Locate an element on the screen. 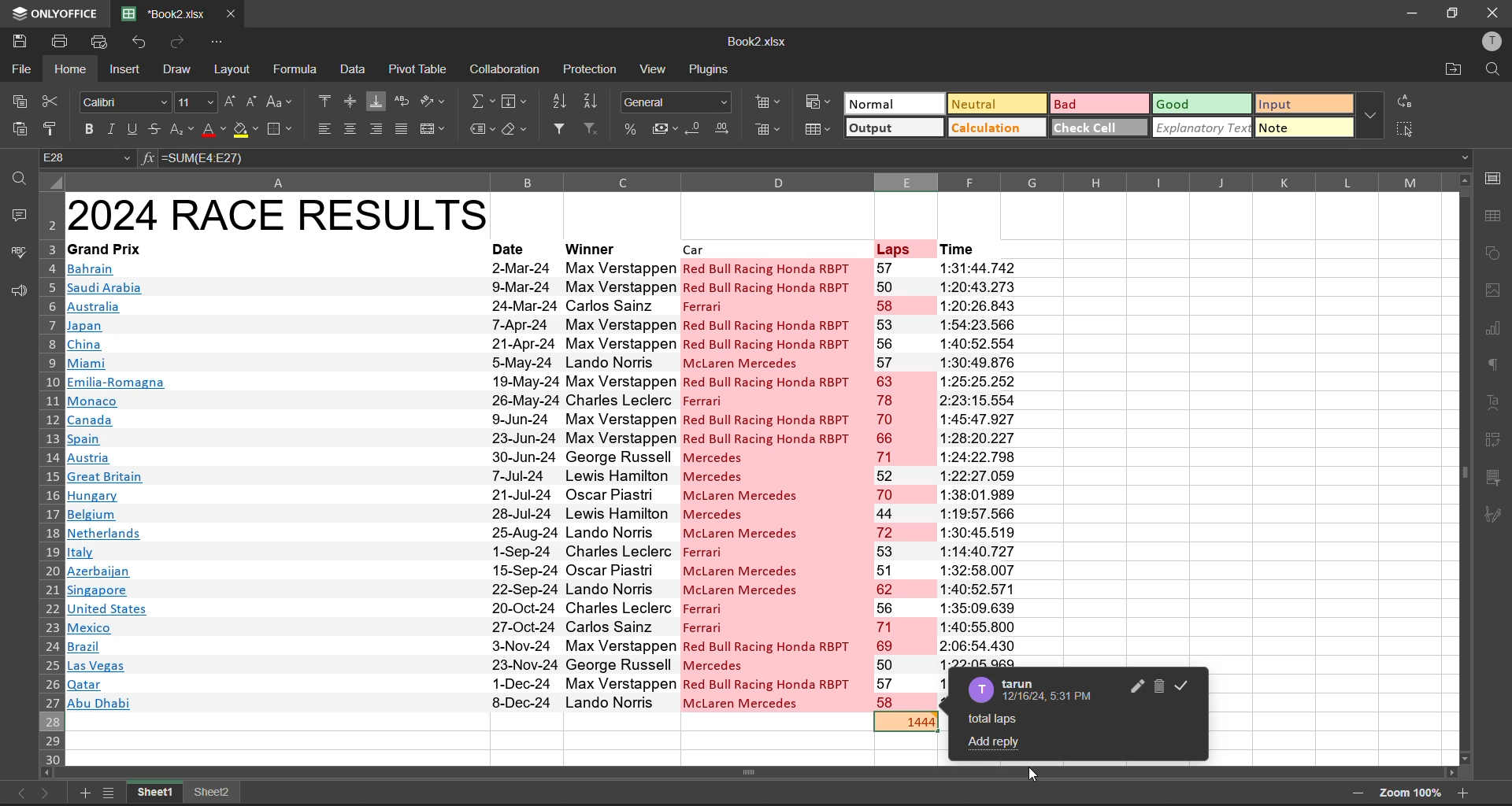 The image size is (1512, 806). paste is located at coordinates (19, 125).